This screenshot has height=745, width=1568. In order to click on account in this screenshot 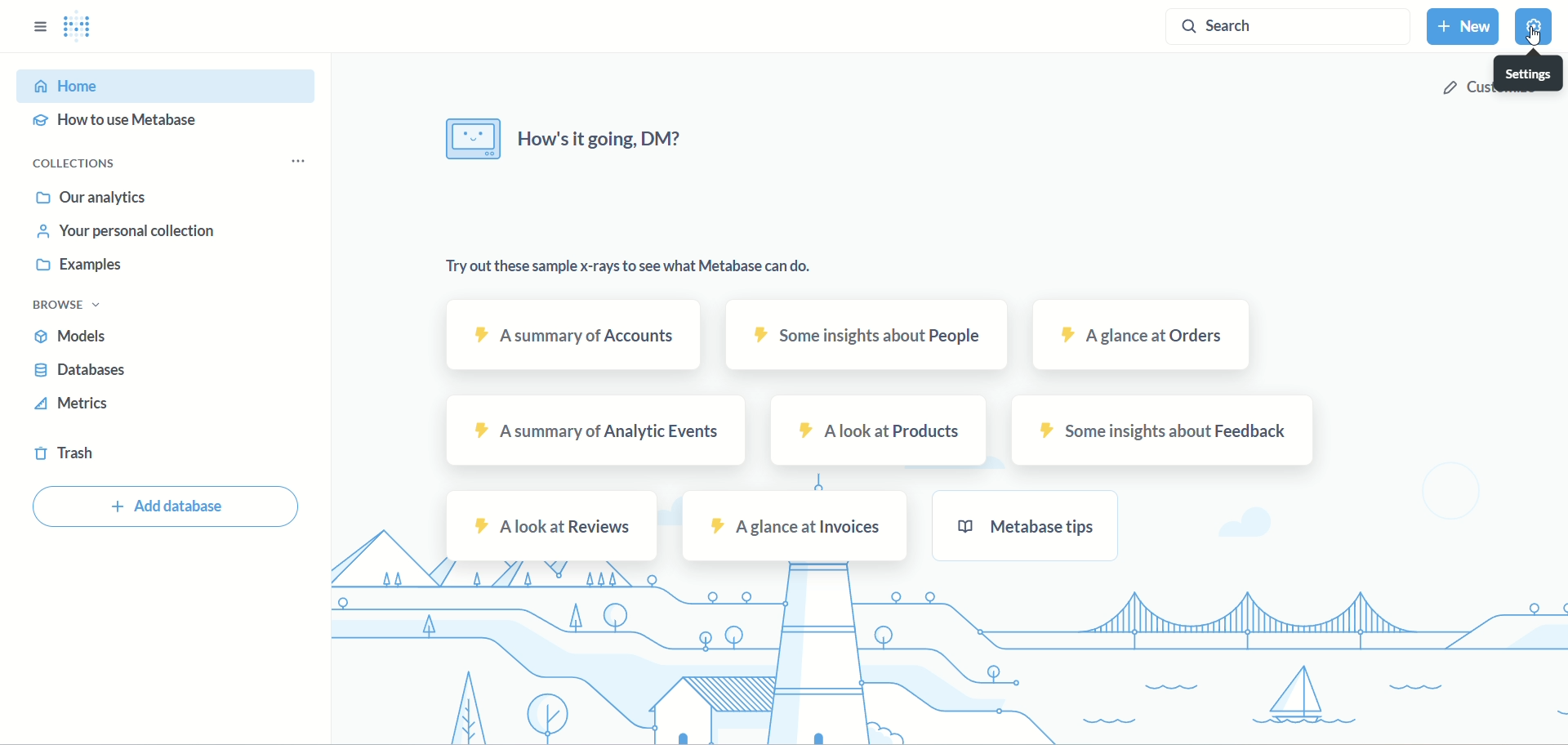, I will do `click(576, 334)`.